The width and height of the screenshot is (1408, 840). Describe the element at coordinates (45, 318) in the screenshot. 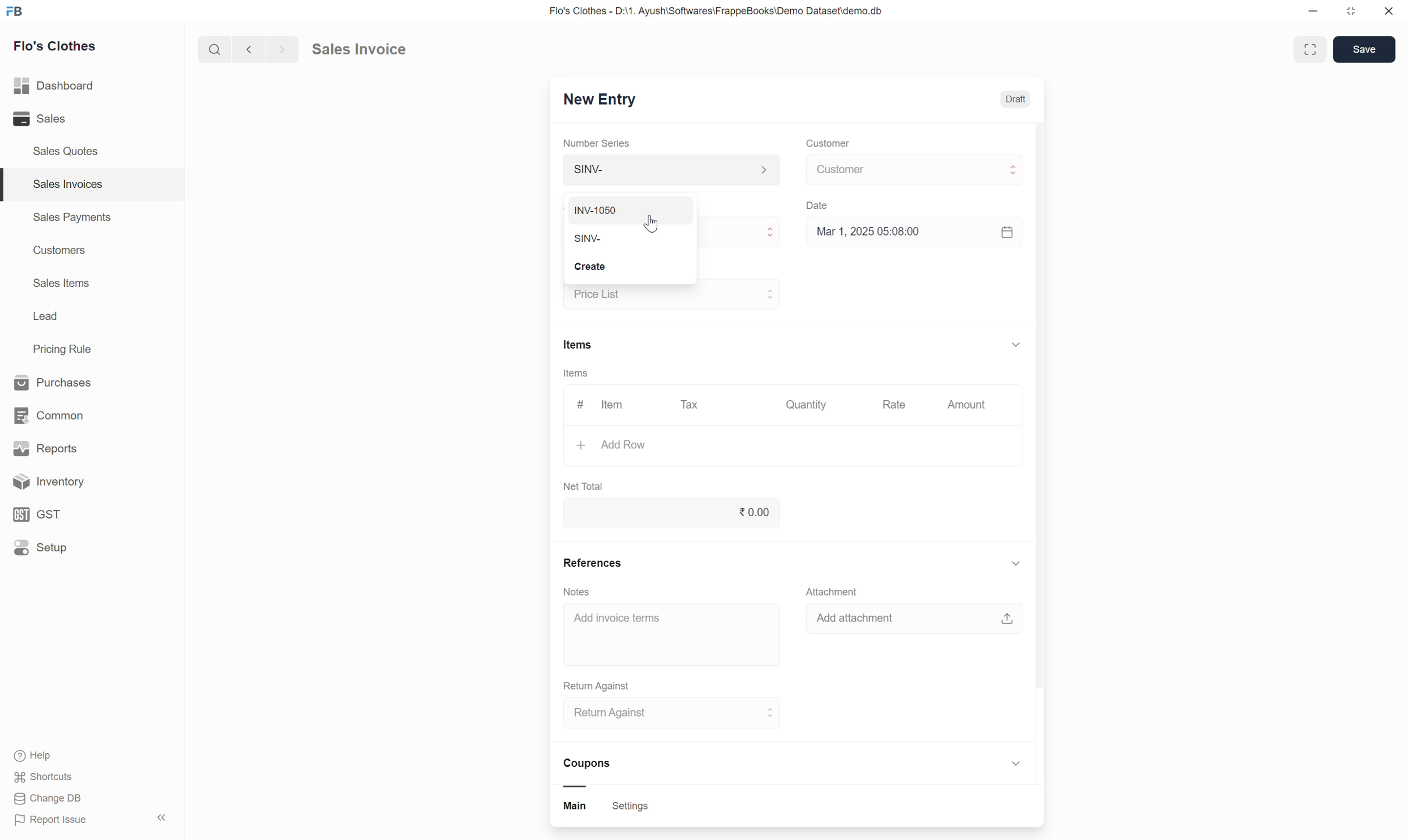

I see `Lead` at that location.